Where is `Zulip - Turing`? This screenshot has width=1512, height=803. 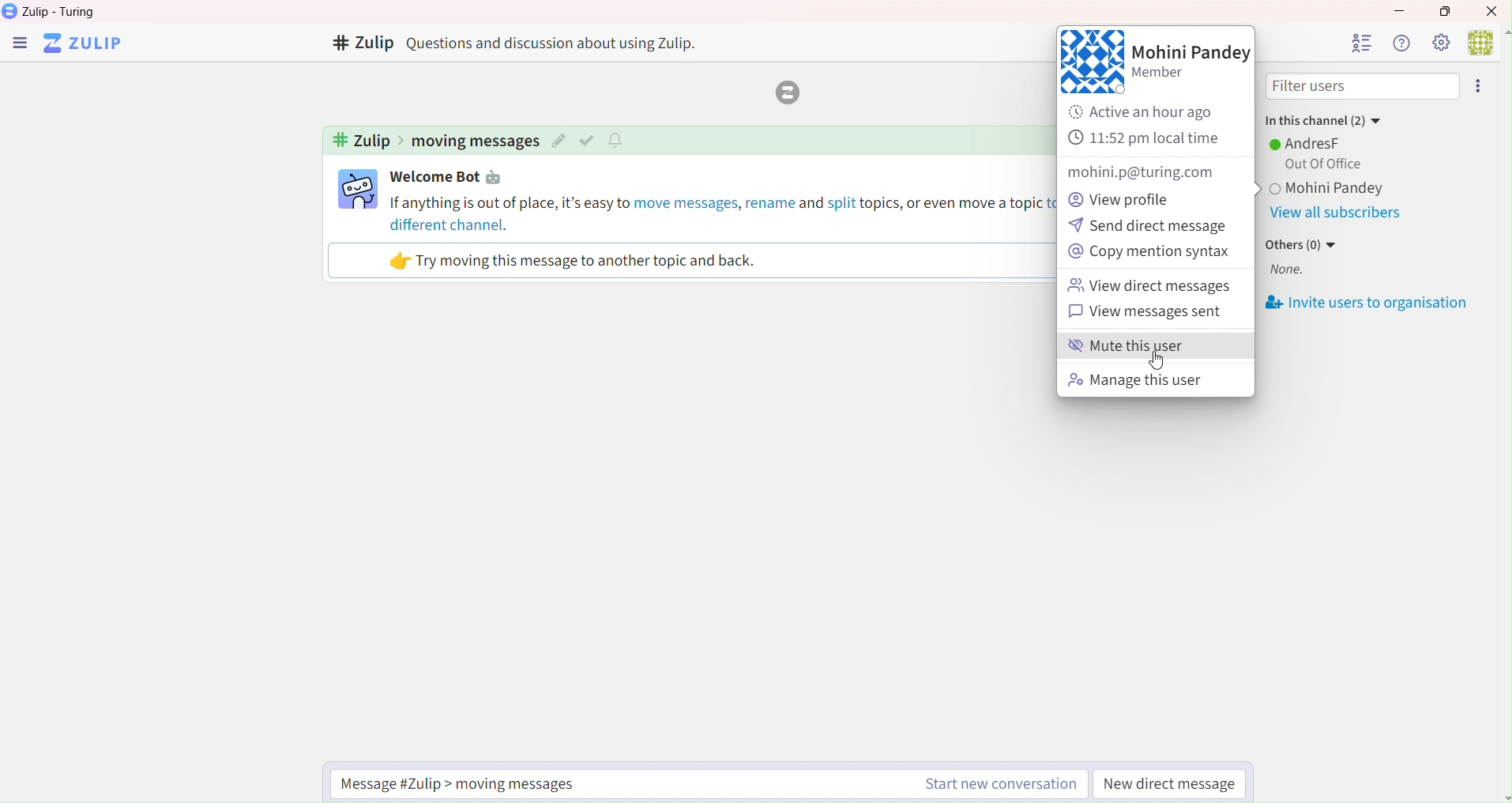
Zulip - Turing is located at coordinates (63, 12).